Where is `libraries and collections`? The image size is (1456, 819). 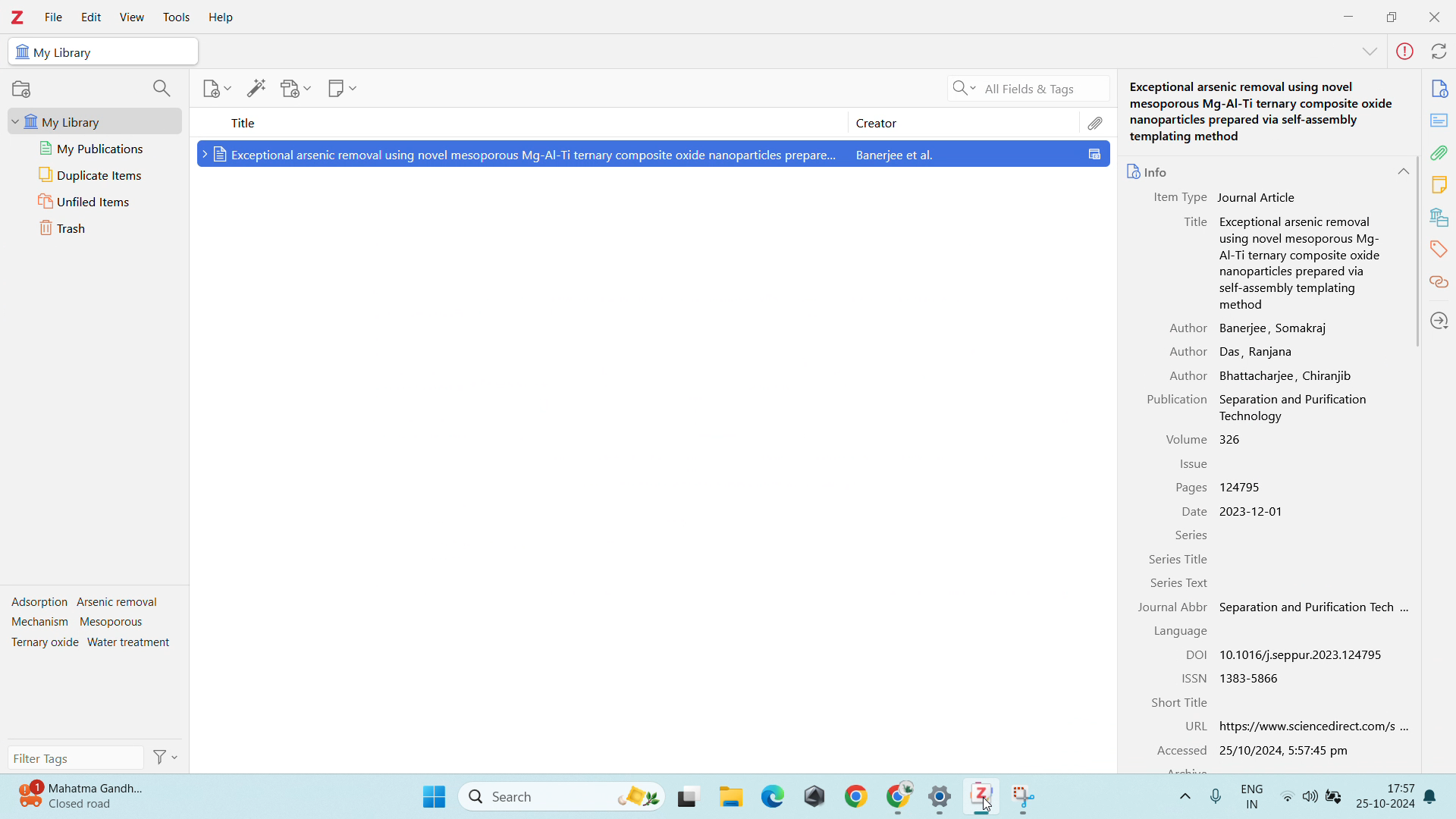 libraries and collections is located at coordinates (1439, 217).